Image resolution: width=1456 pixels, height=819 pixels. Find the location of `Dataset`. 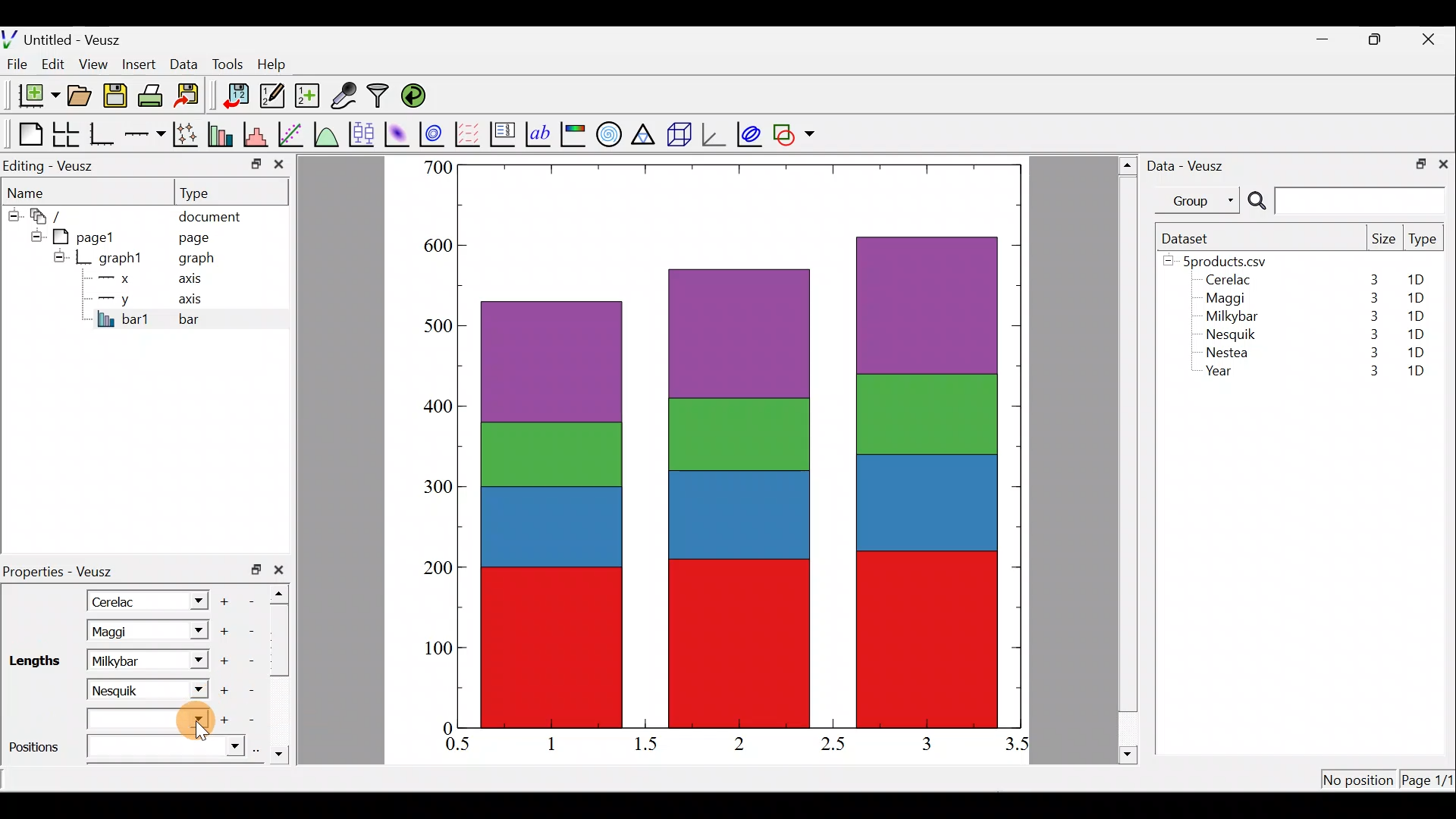

Dataset is located at coordinates (1191, 238).